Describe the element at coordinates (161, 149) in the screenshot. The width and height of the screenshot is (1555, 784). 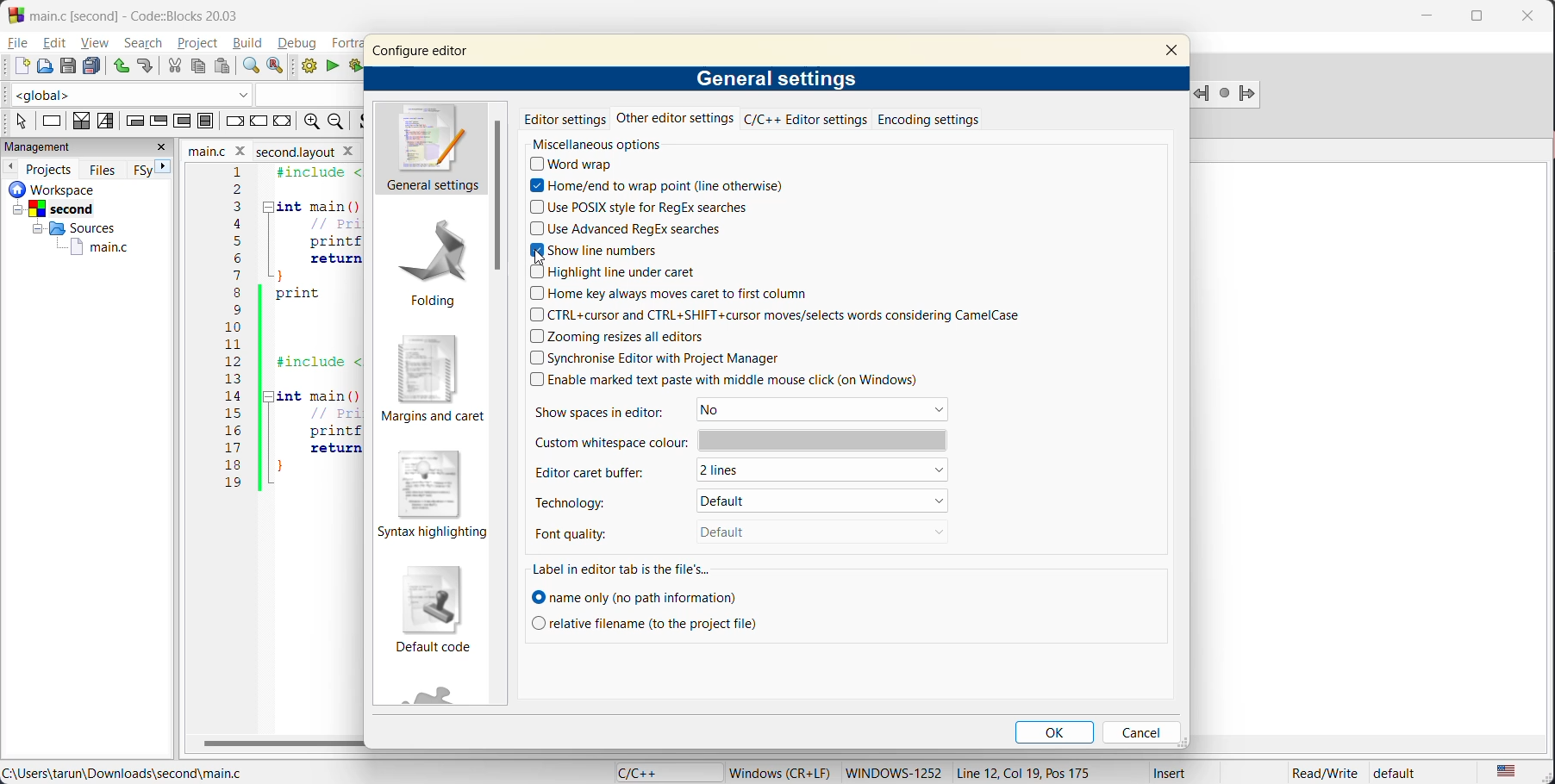
I see `close` at that location.